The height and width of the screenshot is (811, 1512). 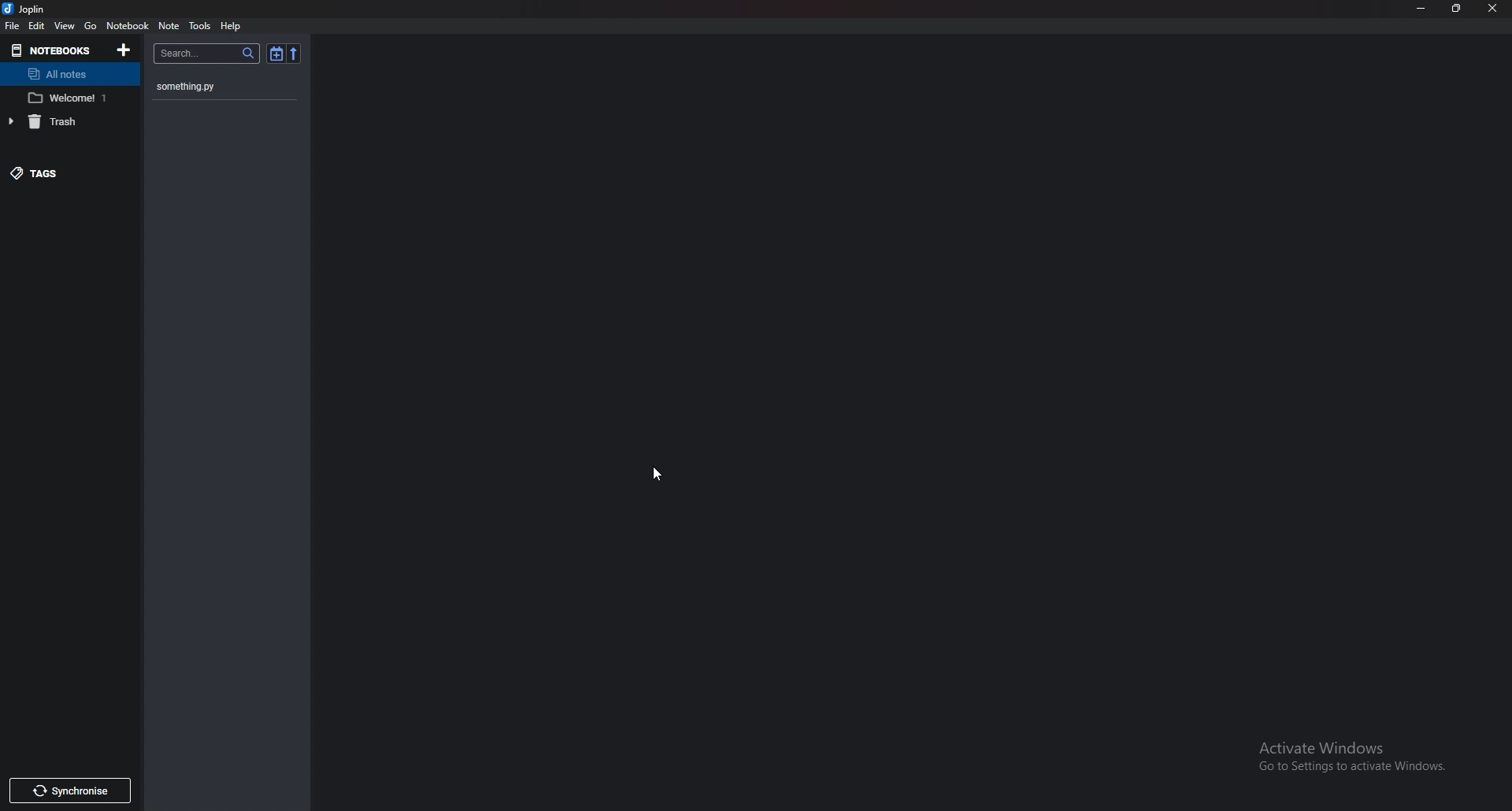 I want to click on All notes, so click(x=65, y=73).